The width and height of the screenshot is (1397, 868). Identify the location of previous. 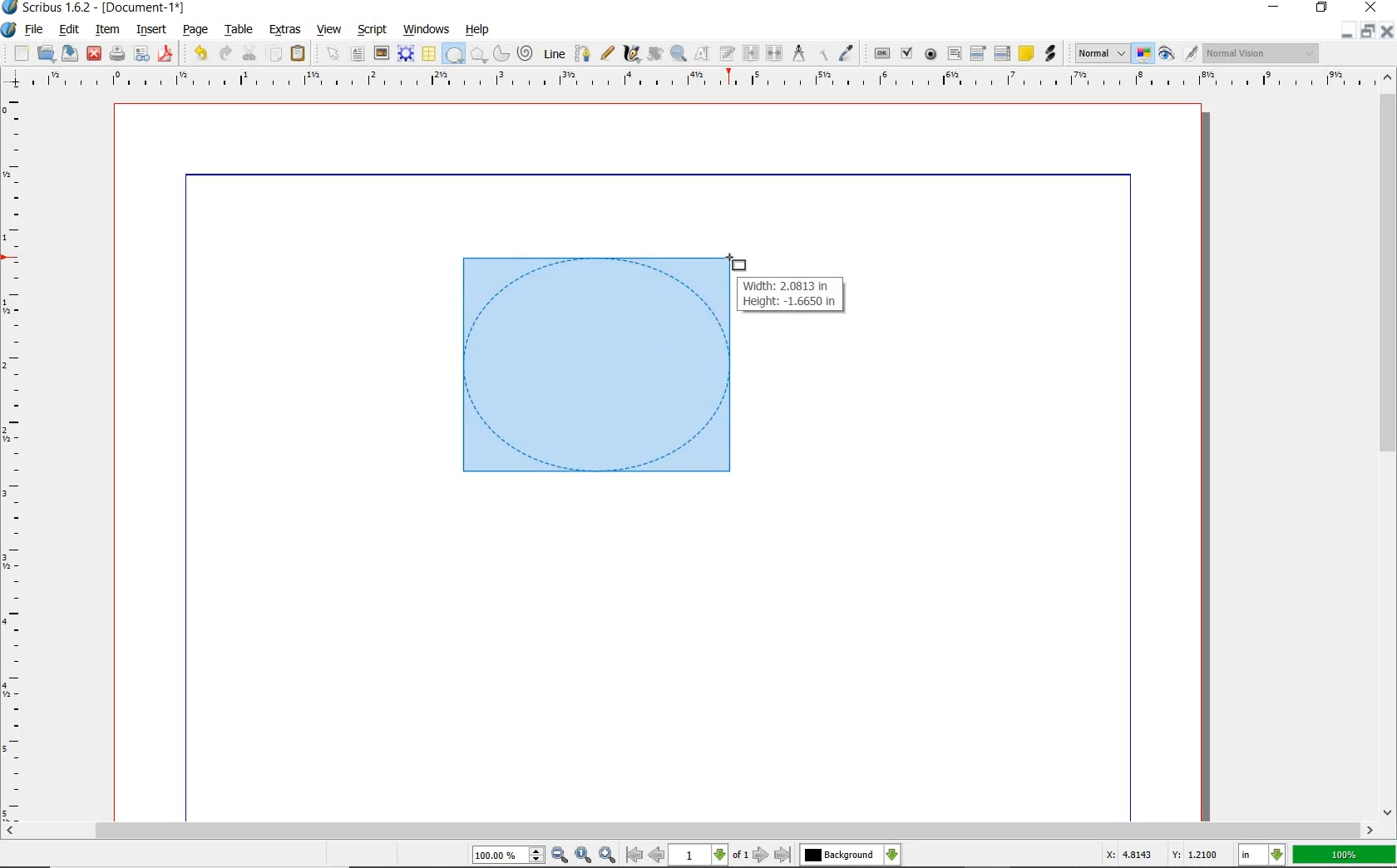
(658, 855).